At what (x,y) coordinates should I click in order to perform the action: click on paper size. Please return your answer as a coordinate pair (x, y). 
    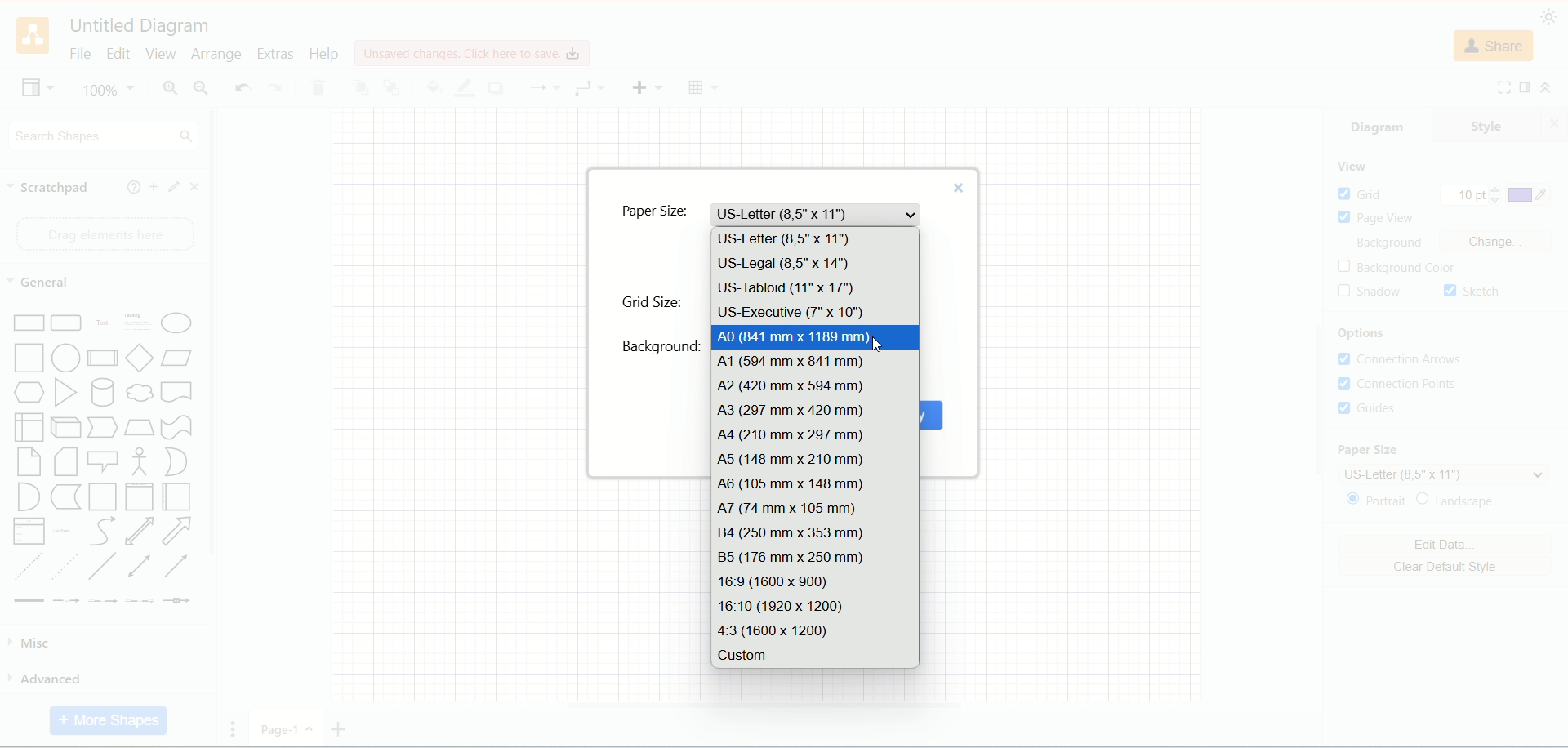
    Looking at the image, I should click on (1366, 451).